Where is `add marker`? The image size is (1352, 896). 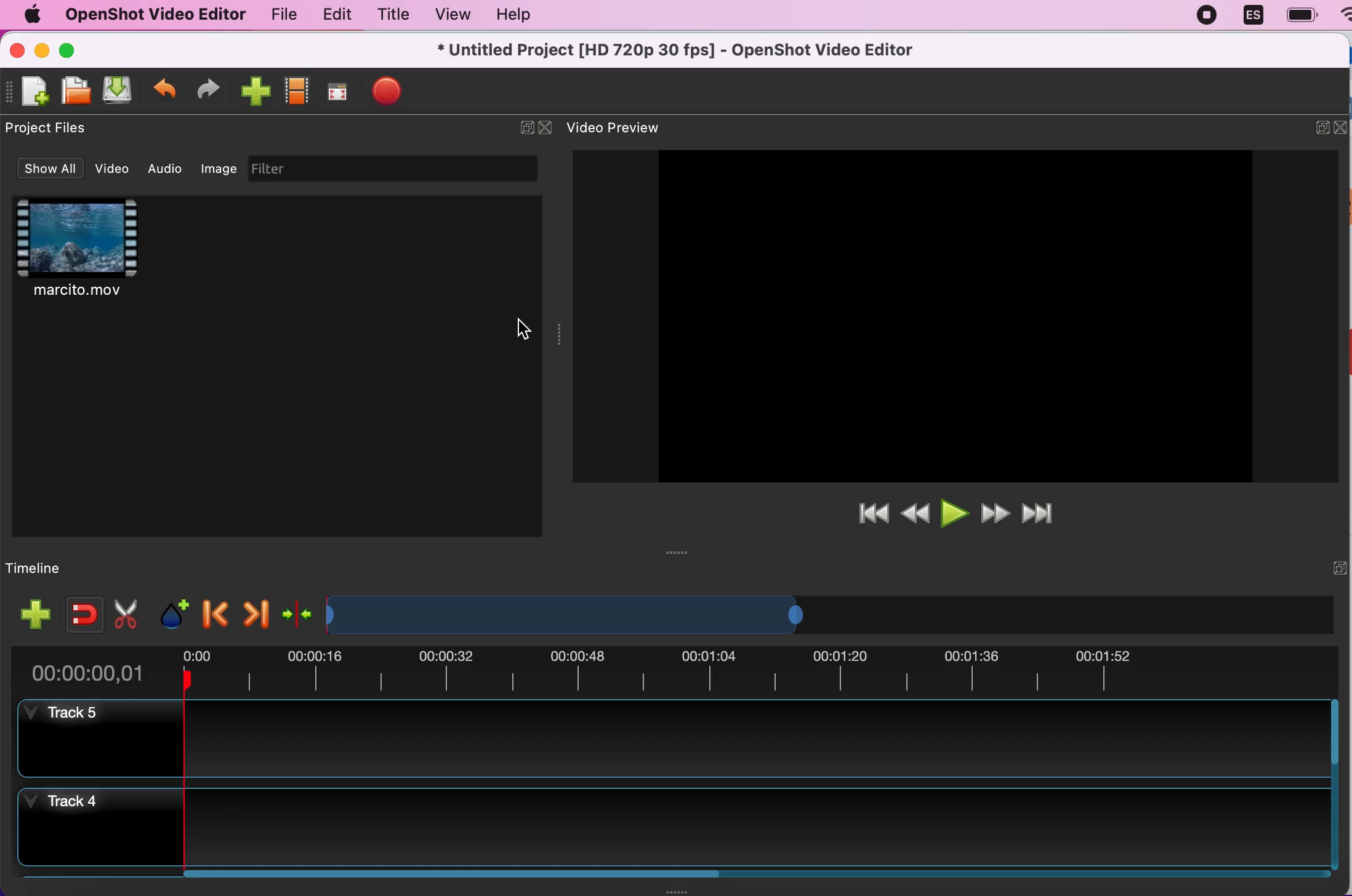 add marker is located at coordinates (175, 612).